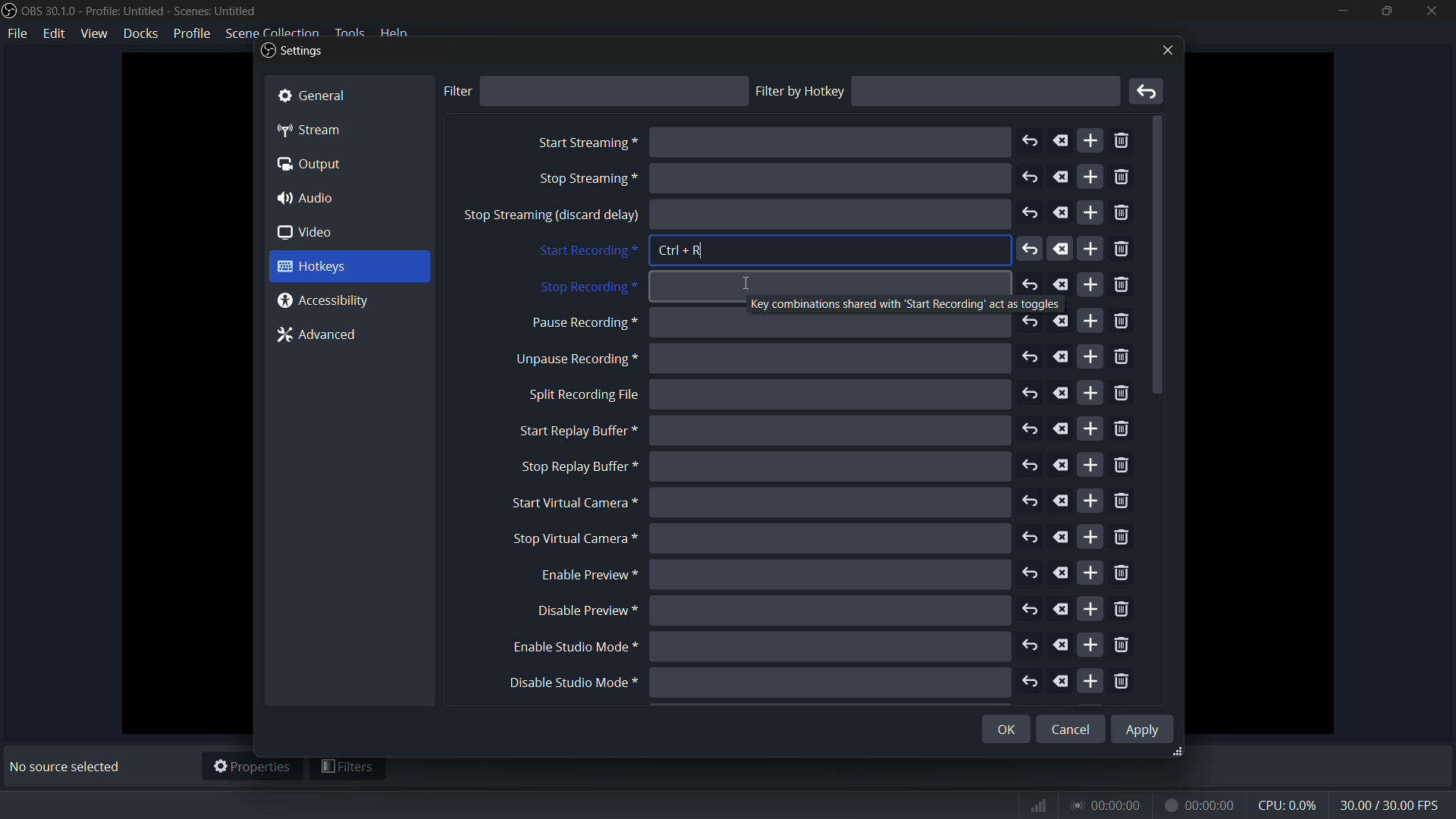 The height and width of the screenshot is (819, 1456). I want to click on remove, so click(1122, 251).